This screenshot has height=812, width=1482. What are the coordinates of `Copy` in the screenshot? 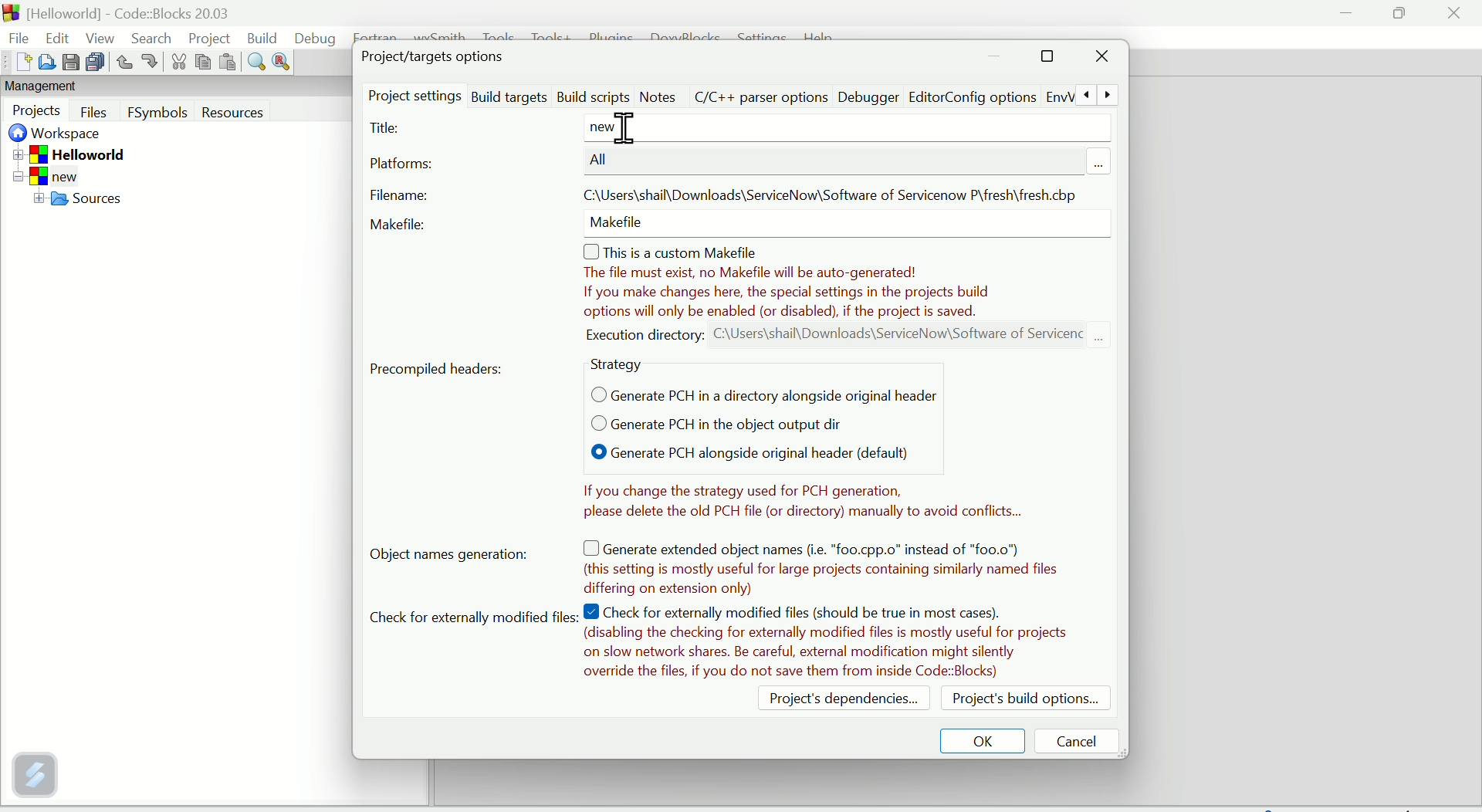 It's located at (201, 62).